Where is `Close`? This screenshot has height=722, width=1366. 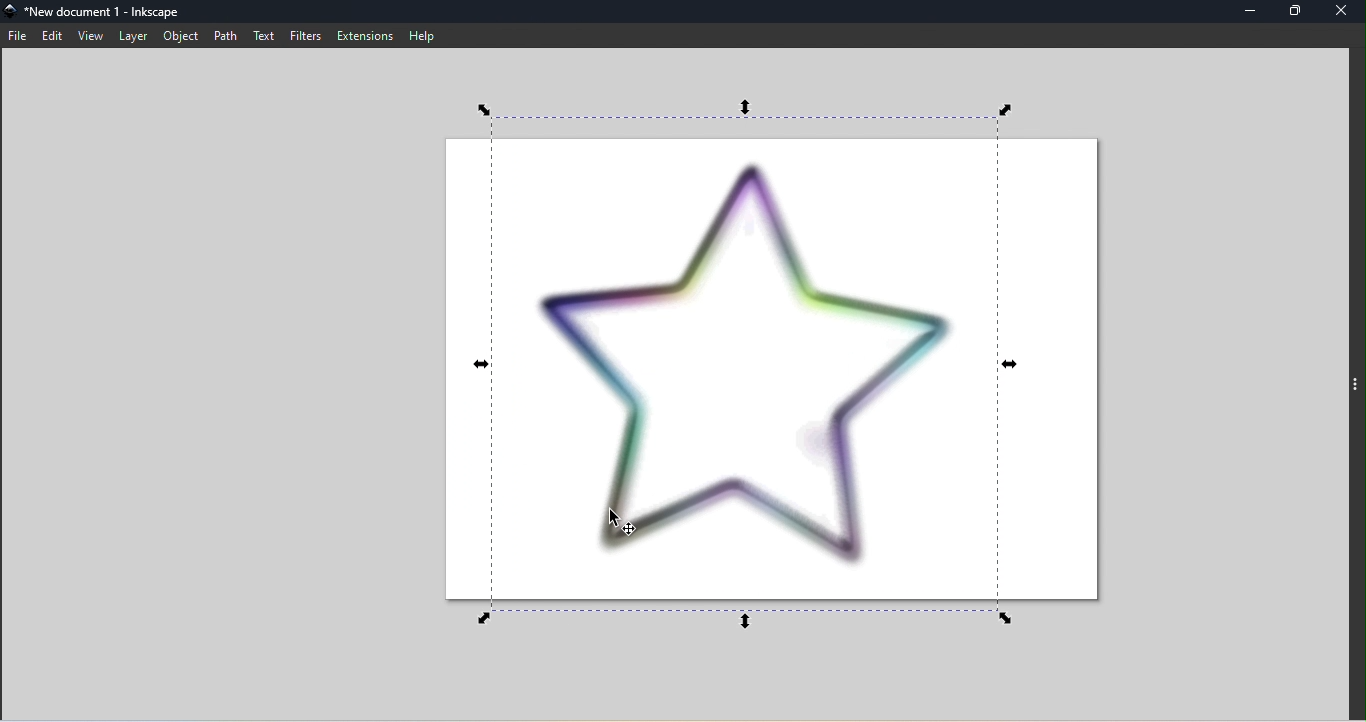
Close is located at coordinates (1342, 12).